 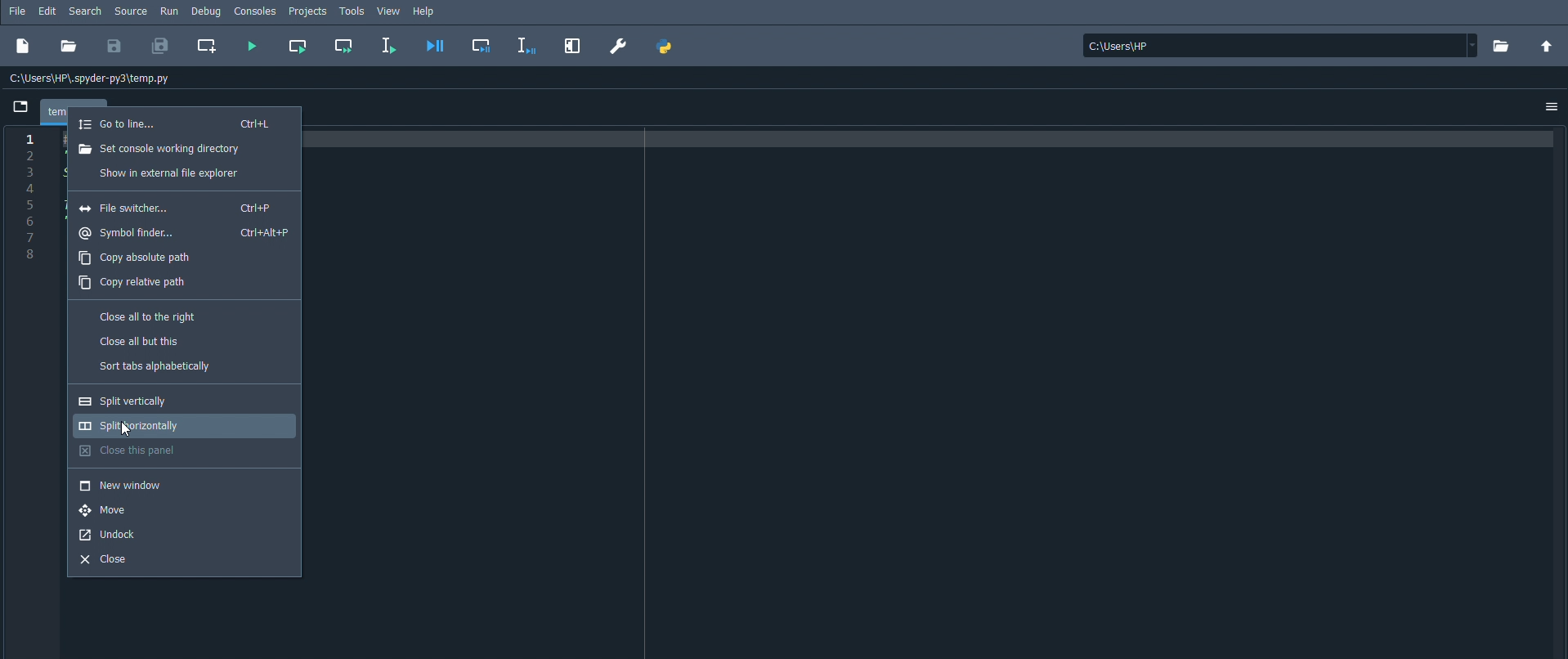 I want to click on Browse a working directory, so click(x=1502, y=46).